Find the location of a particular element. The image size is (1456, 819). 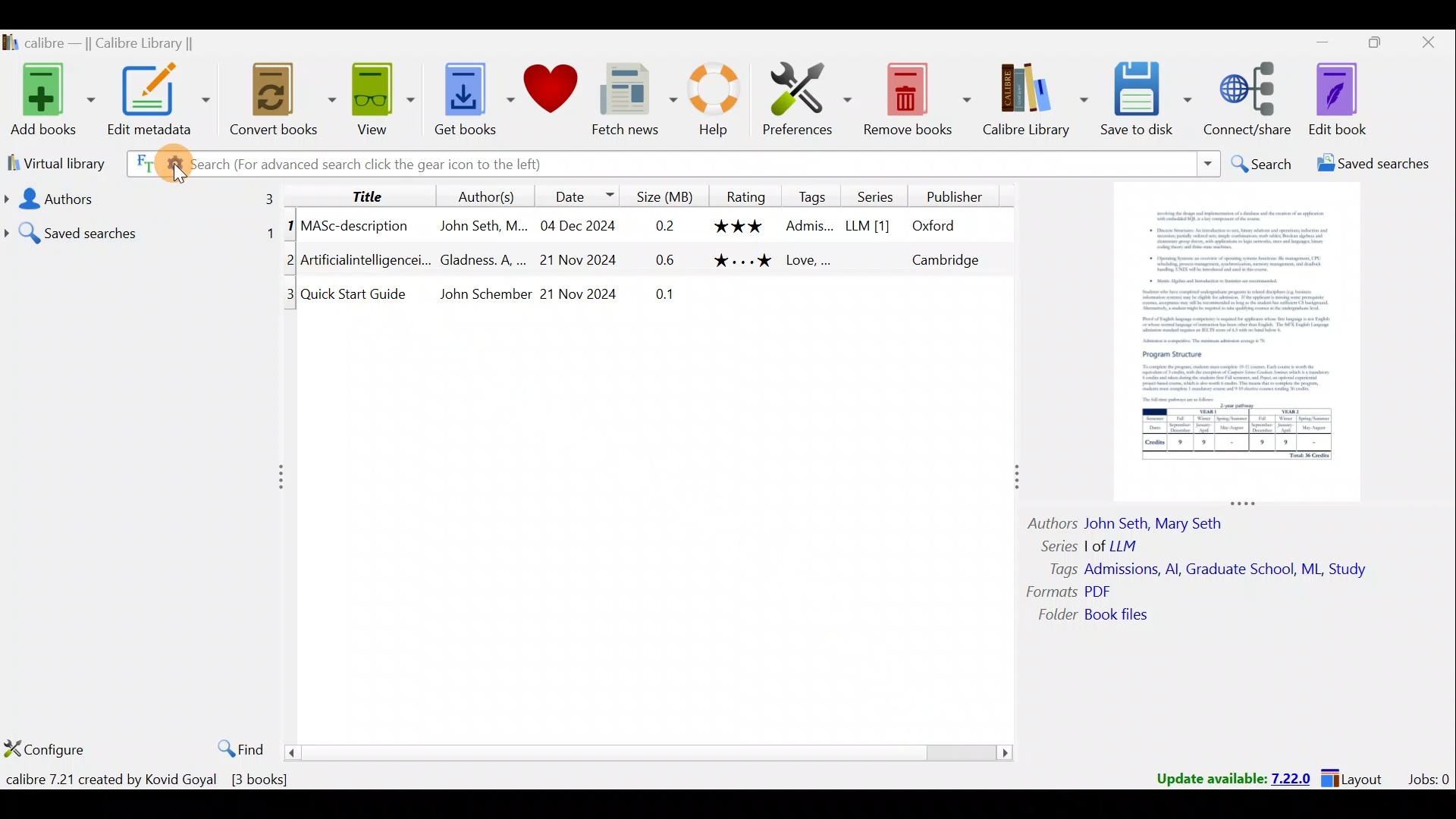

Layout is located at coordinates (1357, 777).